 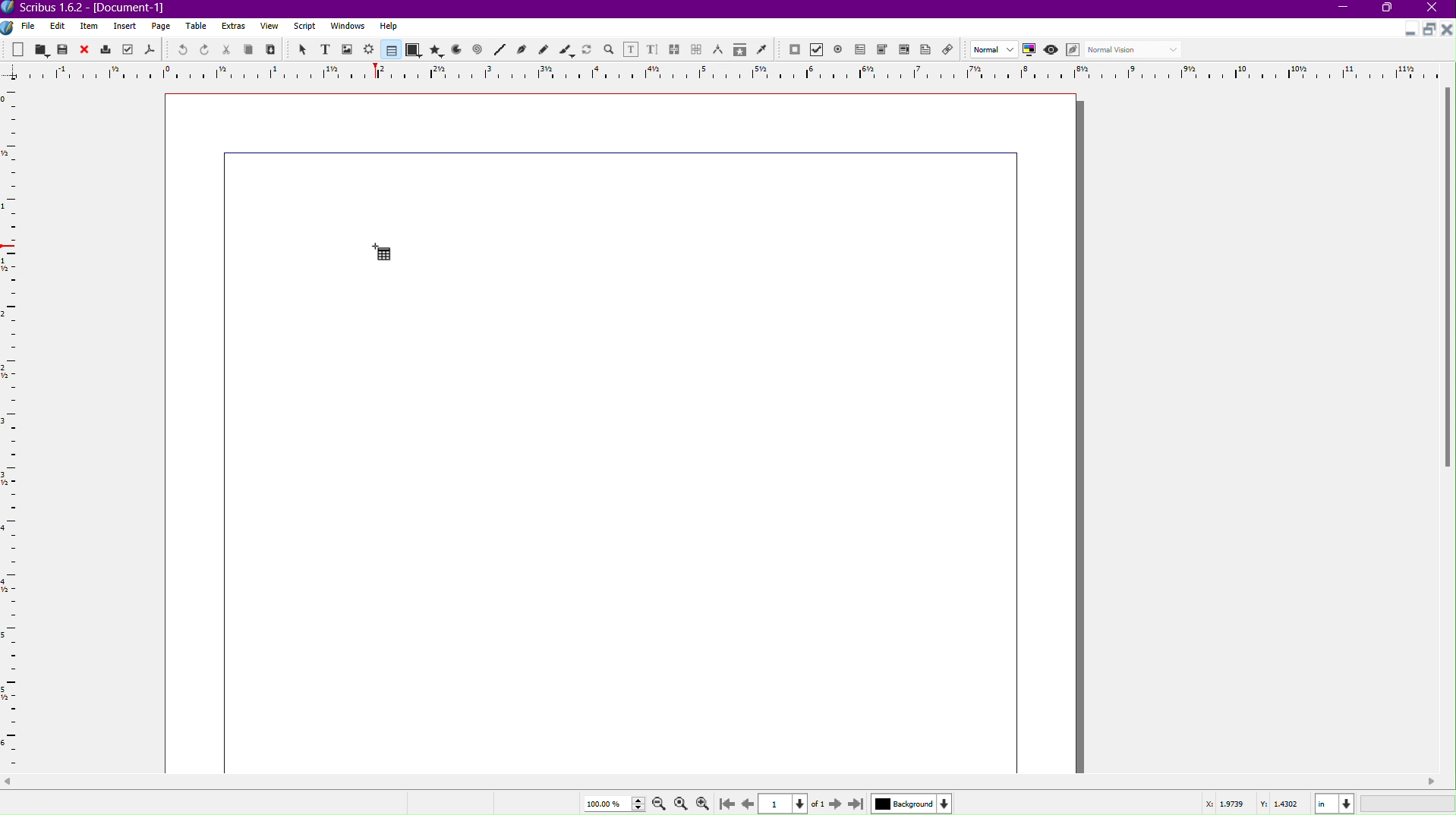 I want to click on Paste, so click(x=272, y=50).